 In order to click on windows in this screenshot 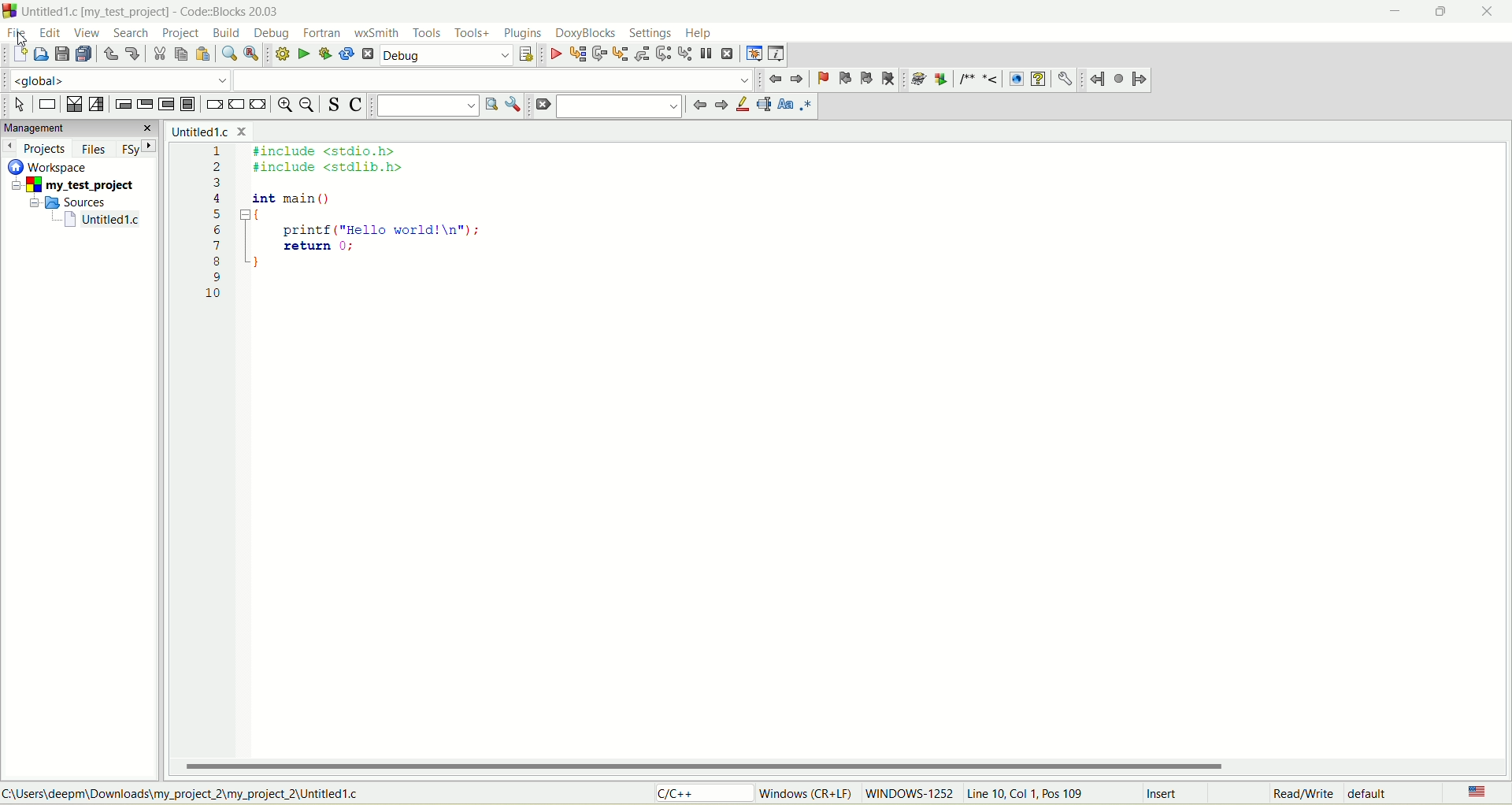, I will do `click(809, 792)`.